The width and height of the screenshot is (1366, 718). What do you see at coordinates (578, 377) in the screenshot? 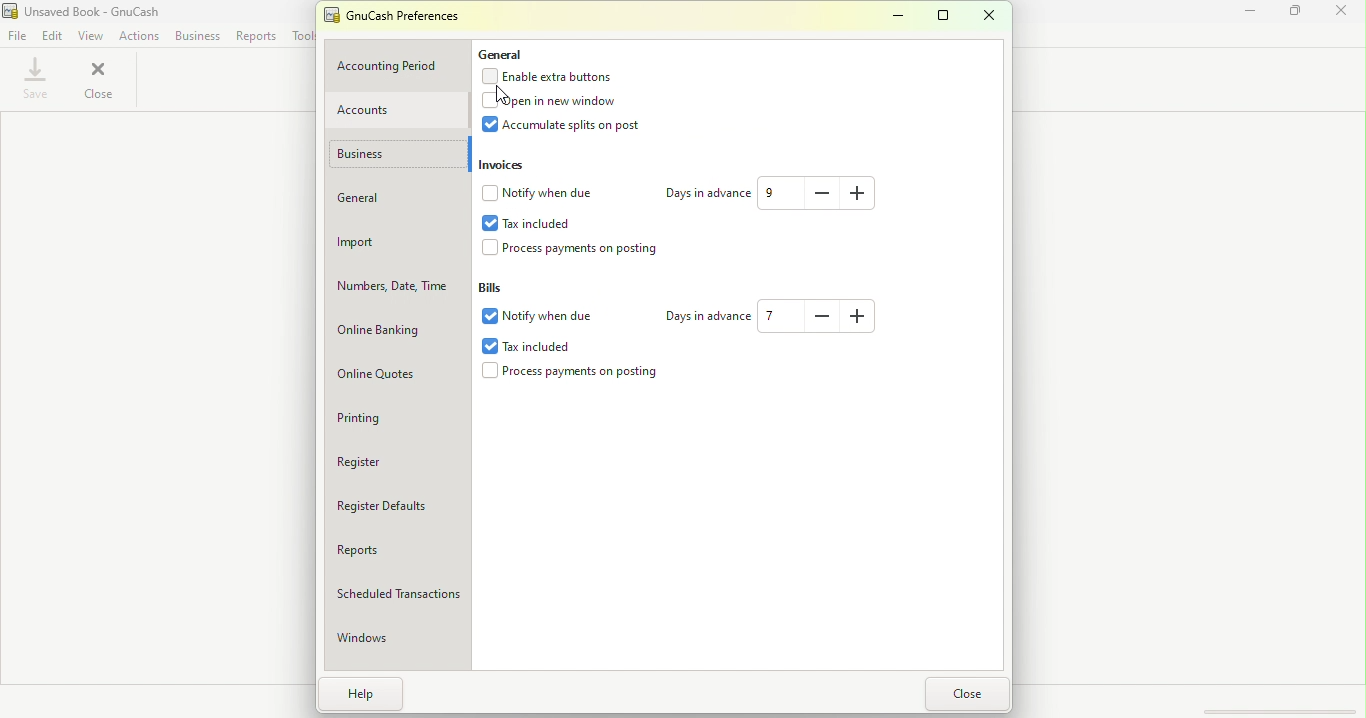
I see `Process payments on posting` at bounding box center [578, 377].